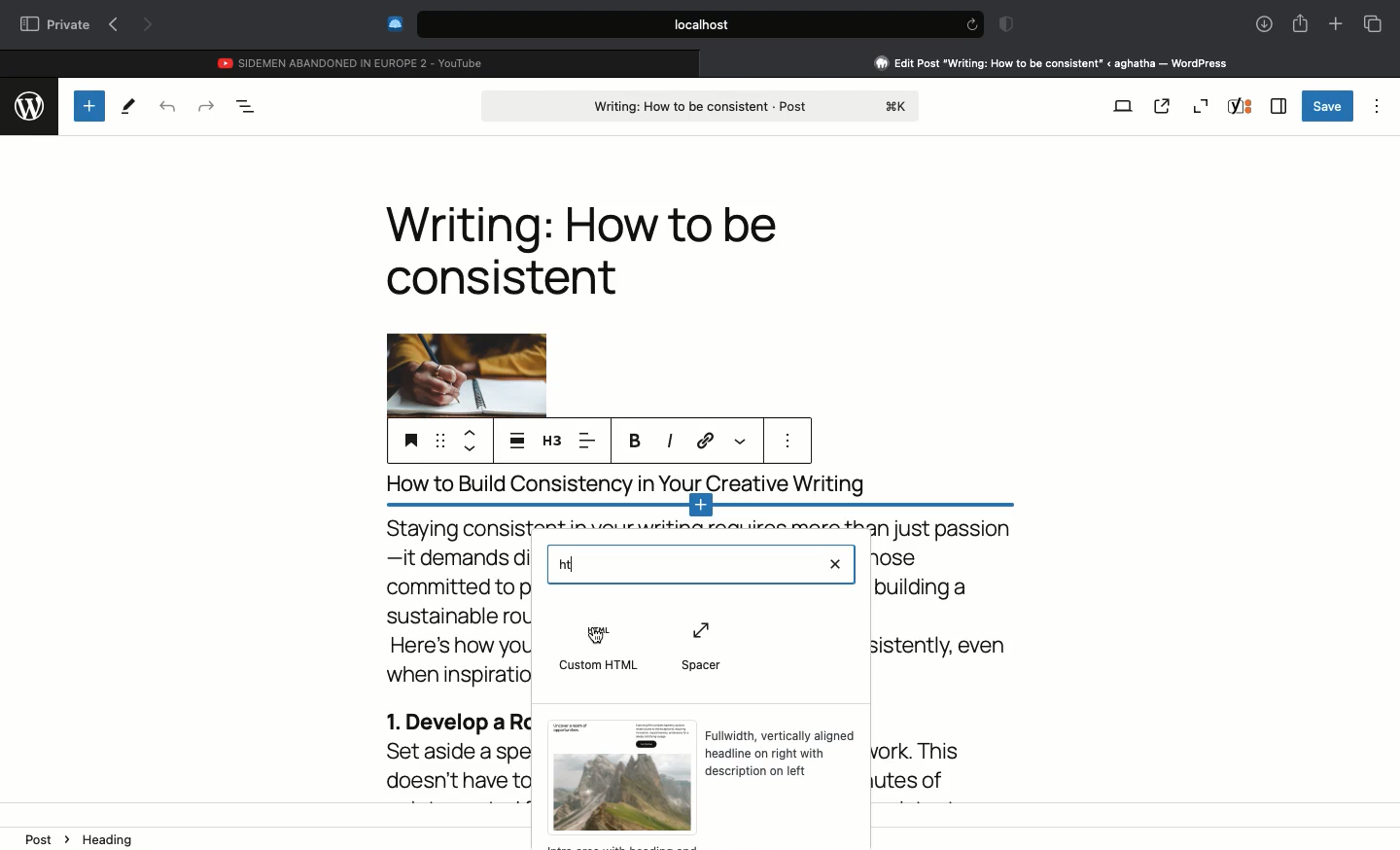 Image resolution: width=1400 pixels, height=850 pixels. I want to click on Heading, so click(581, 250).